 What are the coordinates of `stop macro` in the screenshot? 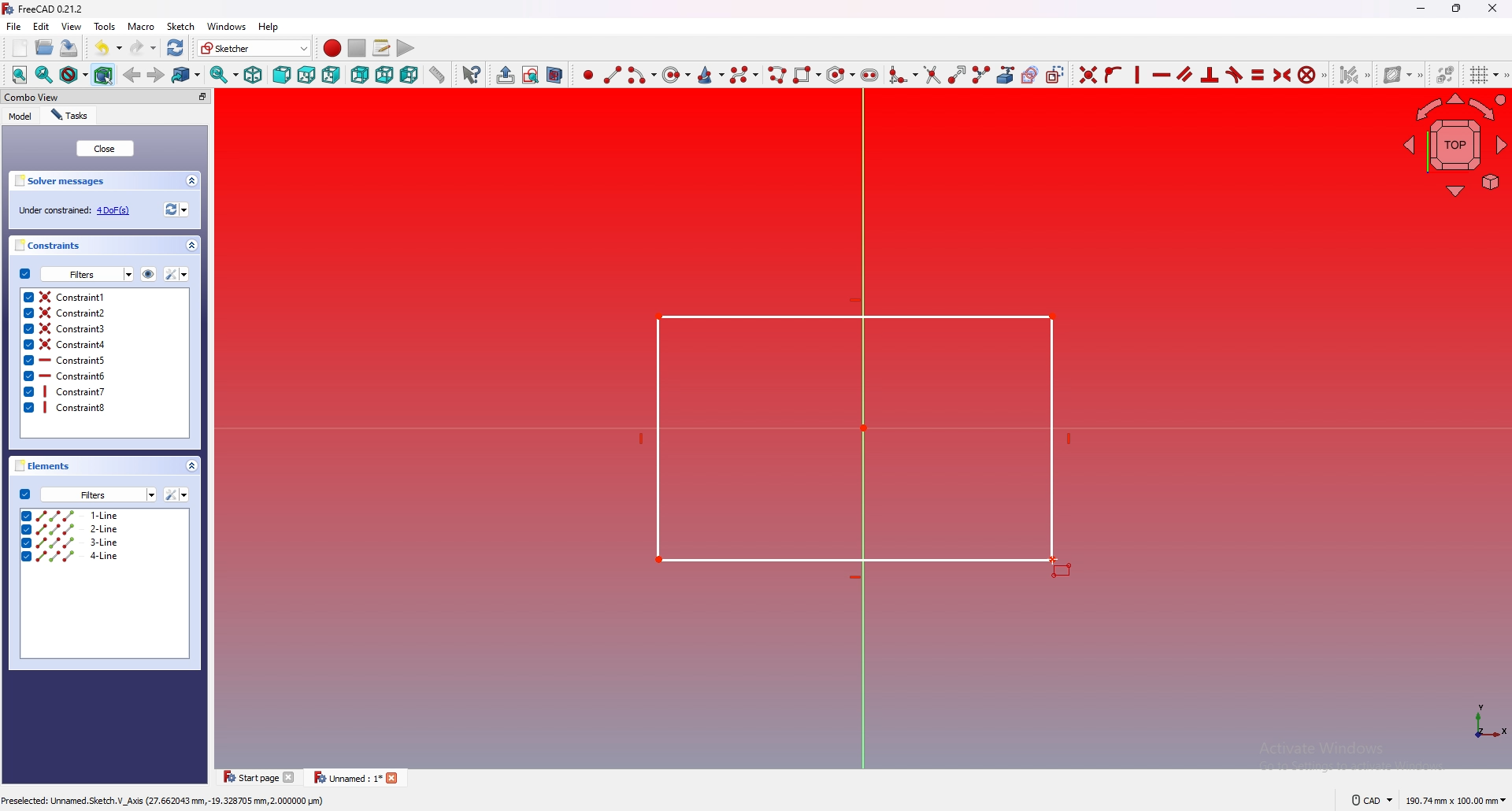 It's located at (356, 47).